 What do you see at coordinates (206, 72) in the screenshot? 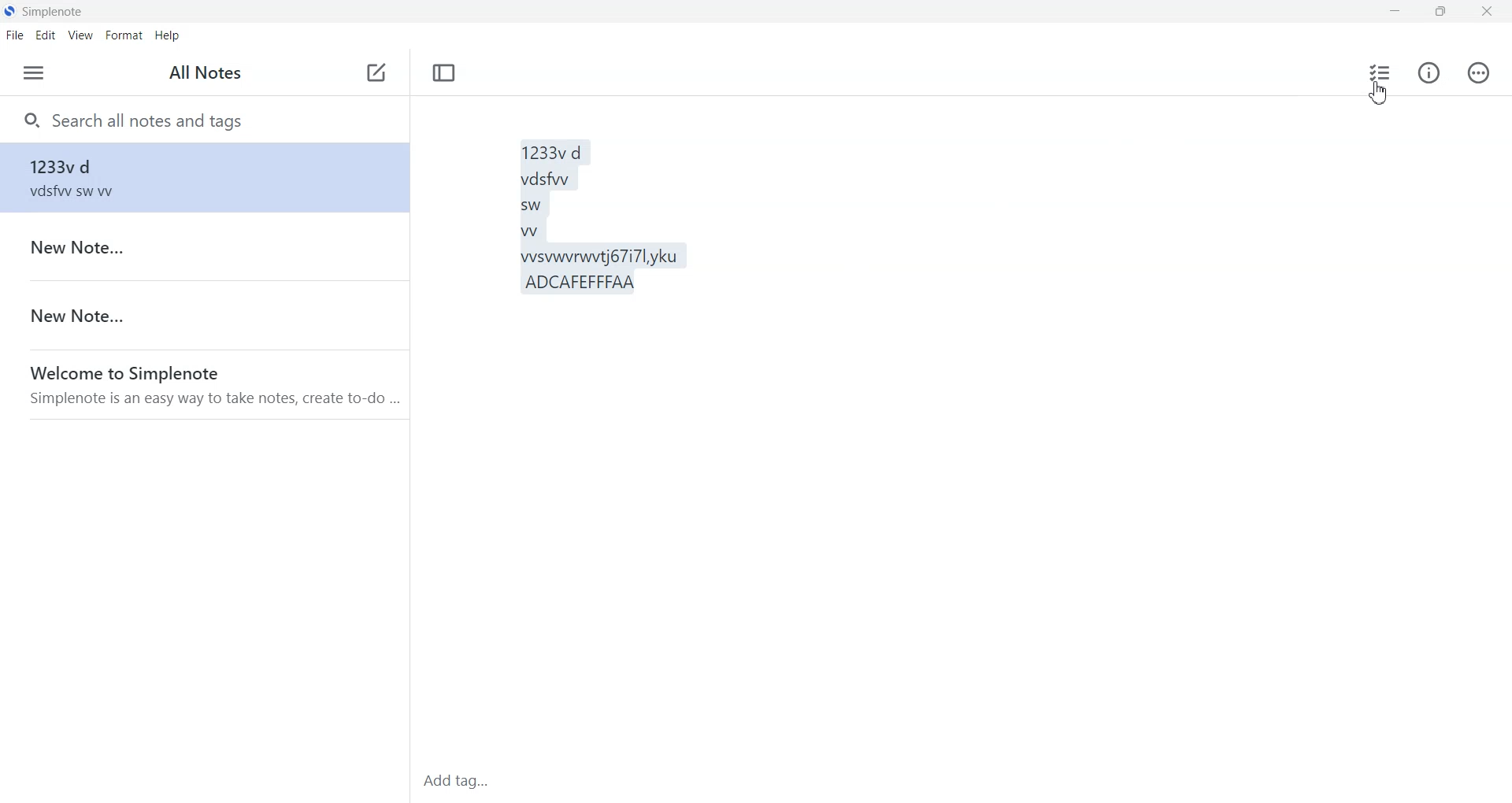
I see `All Notes` at bounding box center [206, 72].